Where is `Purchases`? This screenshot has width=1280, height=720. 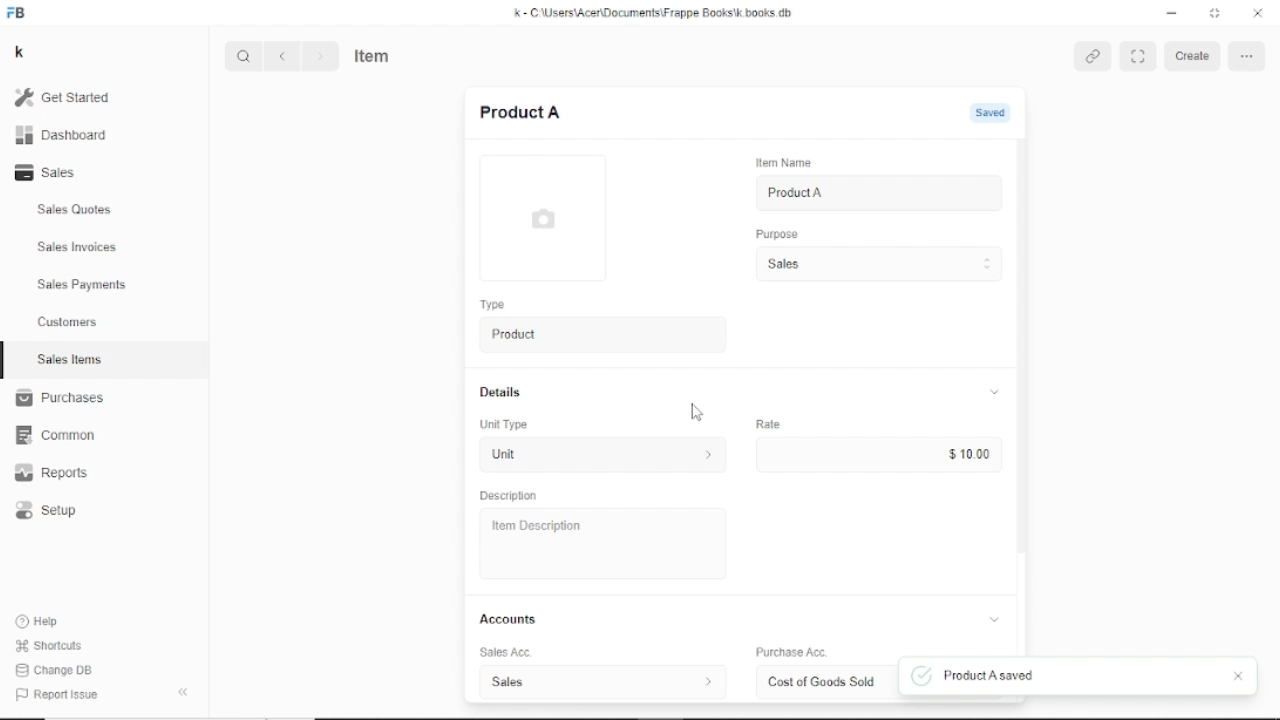
Purchases is located at coordinates (59, 397).